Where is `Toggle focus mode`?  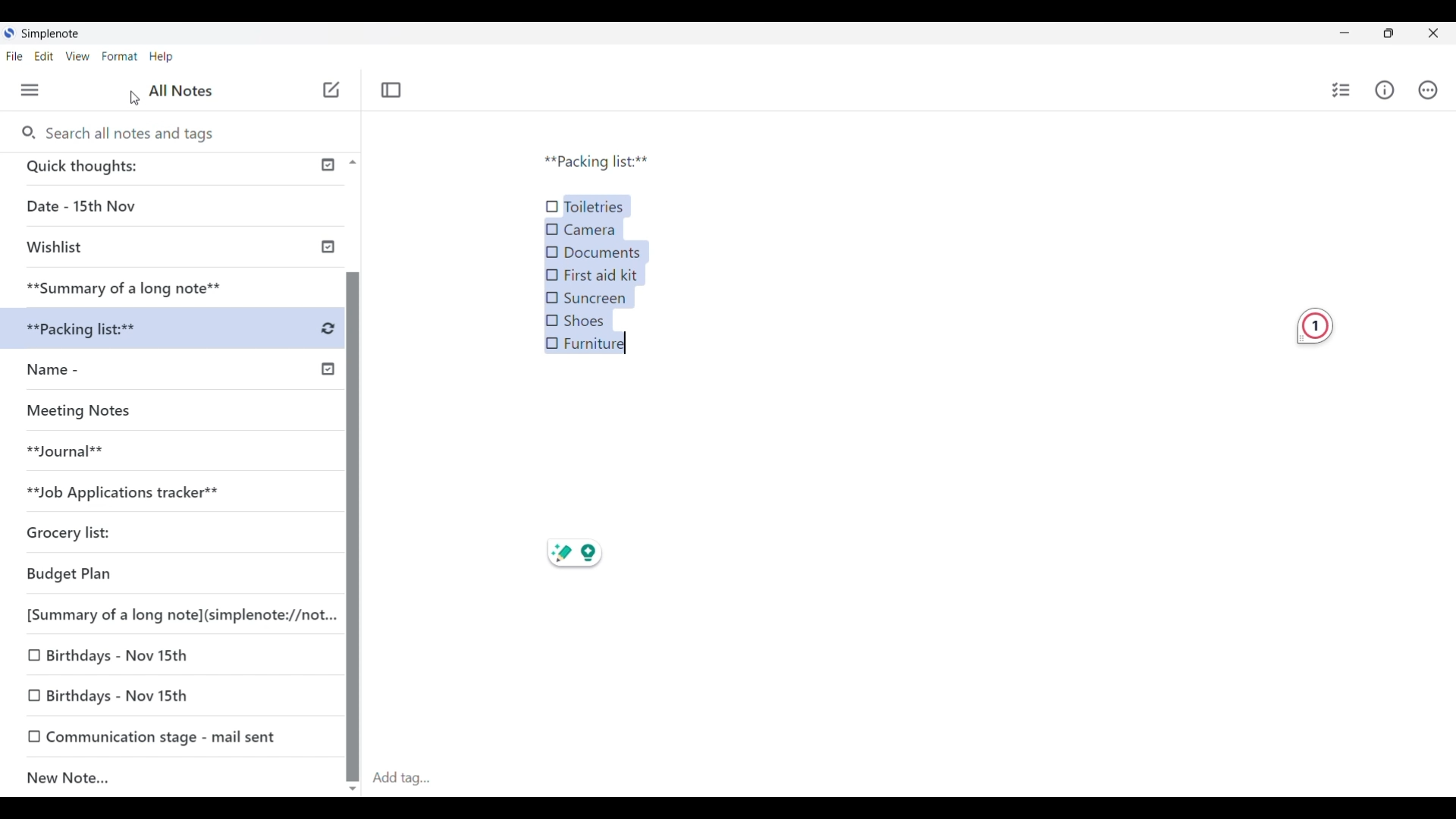 Toggle focus mode is located at coordinates (391, 89).